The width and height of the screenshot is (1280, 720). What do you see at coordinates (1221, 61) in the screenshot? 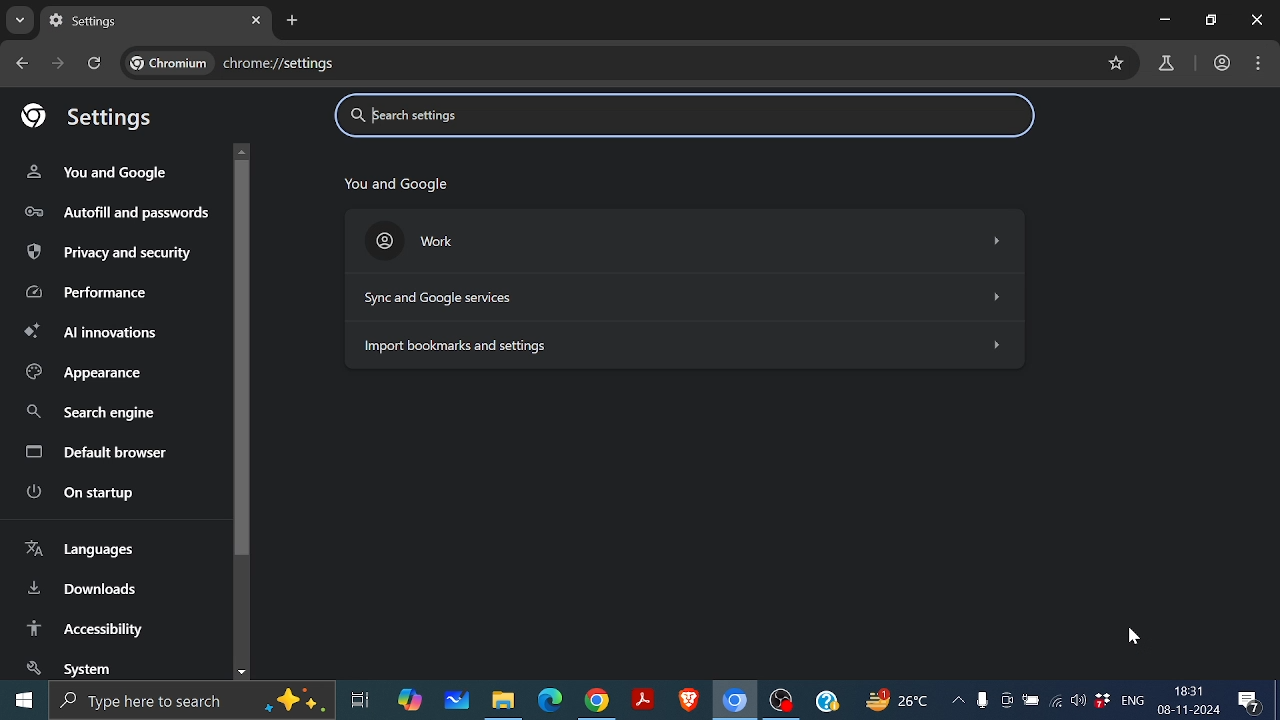
I see `work` at bounding box center [1221, 61].